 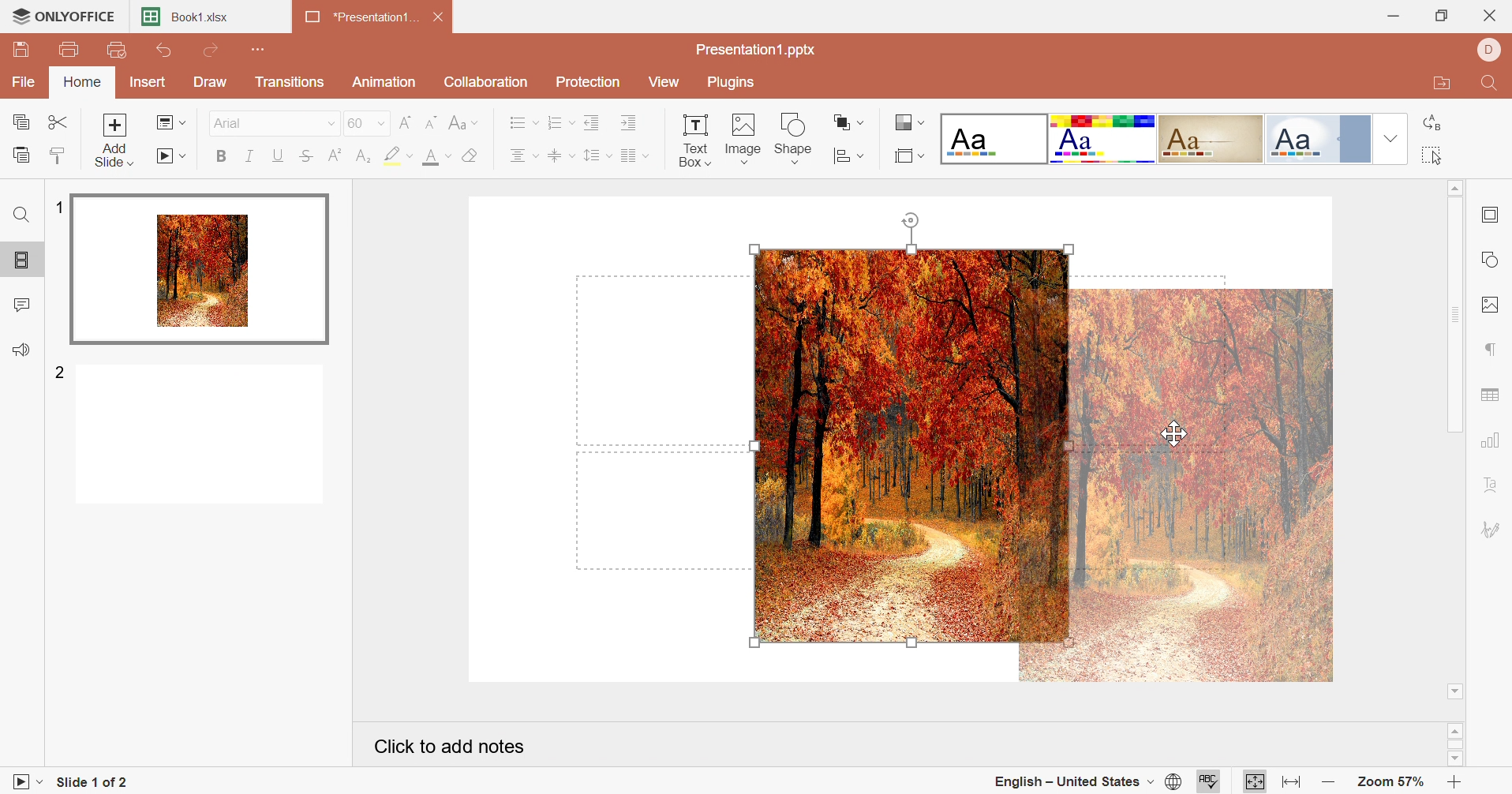 I want to click on Blank, so click(x=996, y=138).